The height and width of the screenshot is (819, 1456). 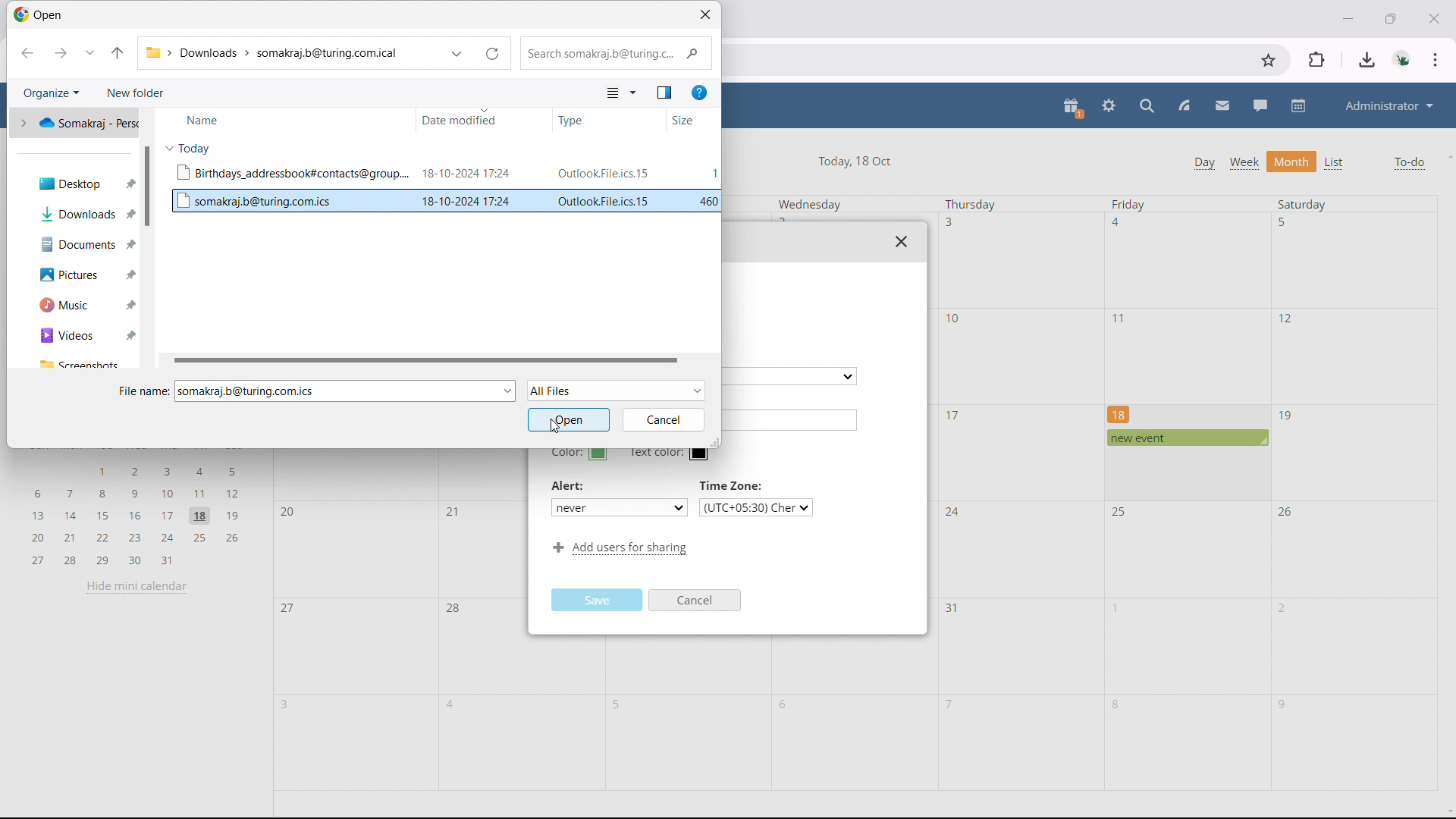 What do you see at coordinates (250, 201) in the screenshot?
I see `somakraj.b@turing.com.ics` at bounding box center [250, 201].